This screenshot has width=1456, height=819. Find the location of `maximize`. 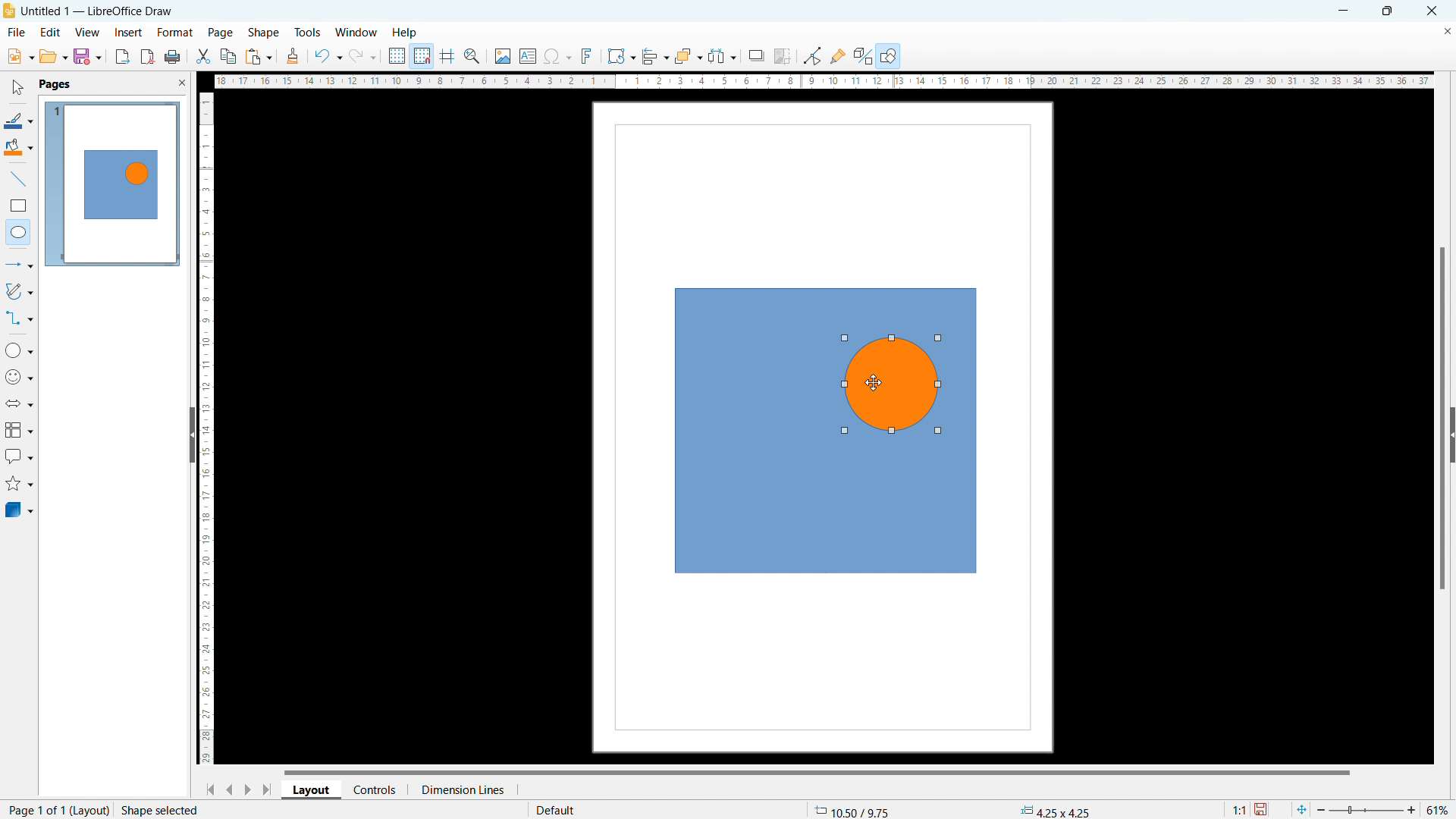

maximize is located at coordinates (1386, 11).